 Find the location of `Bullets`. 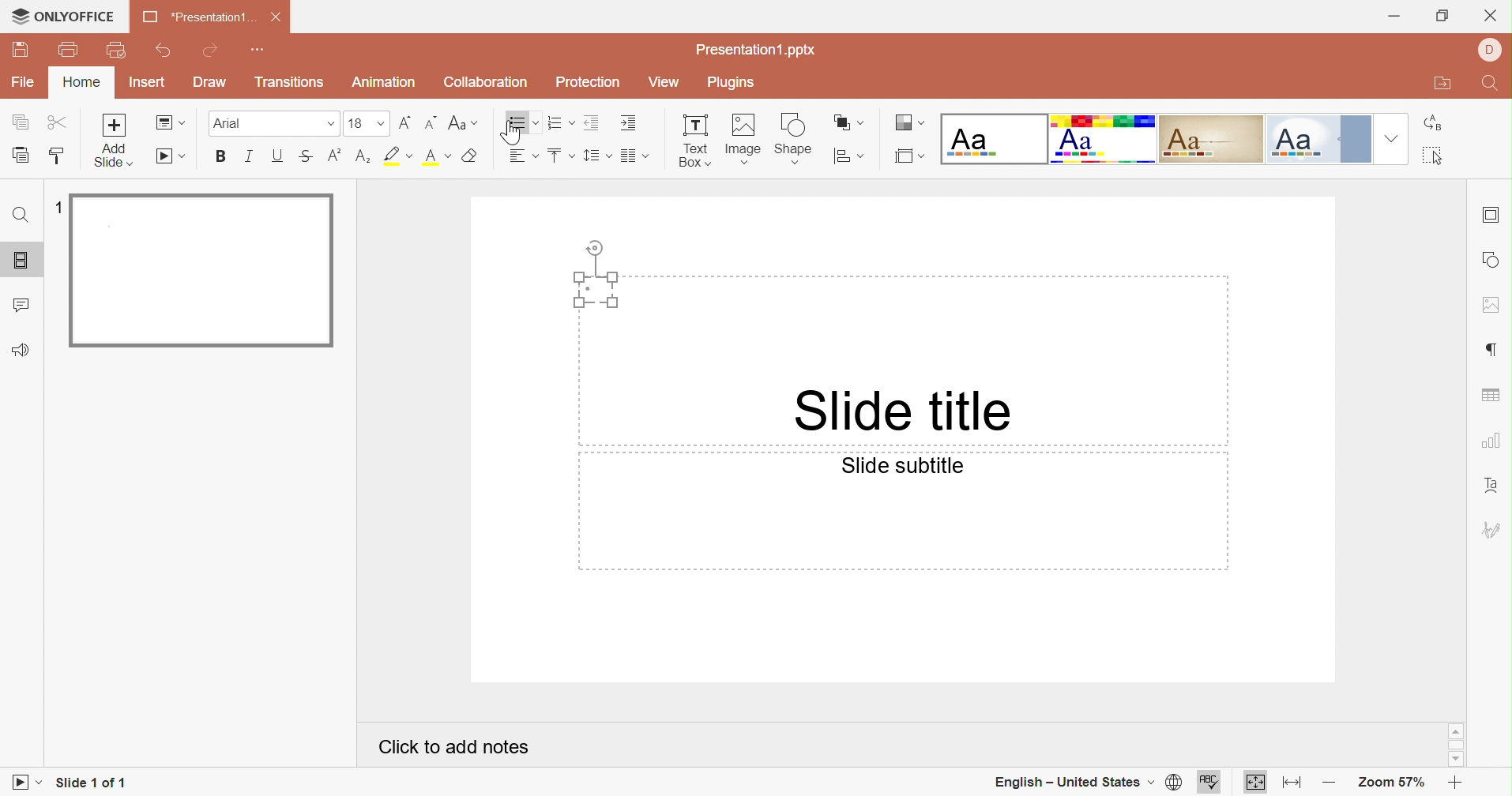

Bullets is located at coordinates (565, 156).